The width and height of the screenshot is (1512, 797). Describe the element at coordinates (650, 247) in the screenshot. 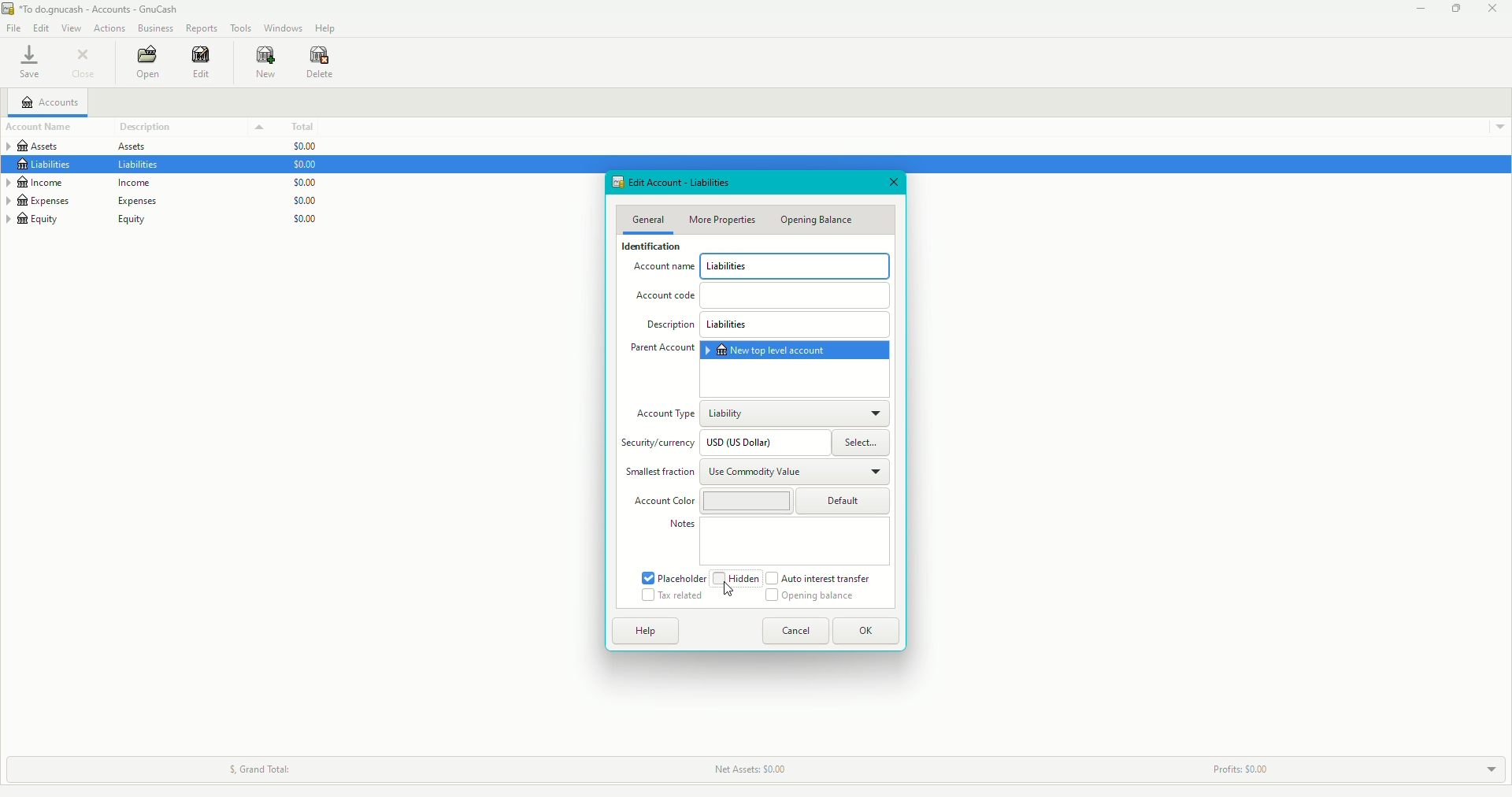

I see `Identification` at that location.